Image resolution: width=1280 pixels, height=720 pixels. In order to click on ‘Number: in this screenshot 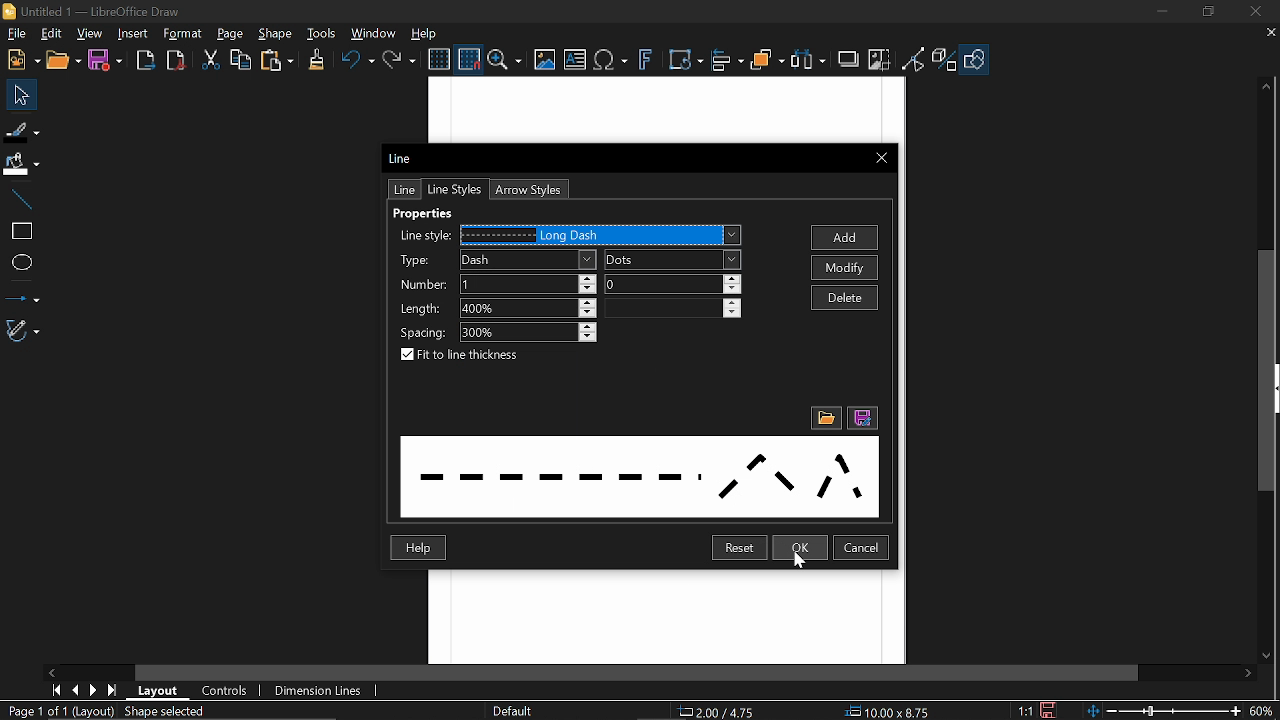, I will do `click(420, 285)`.